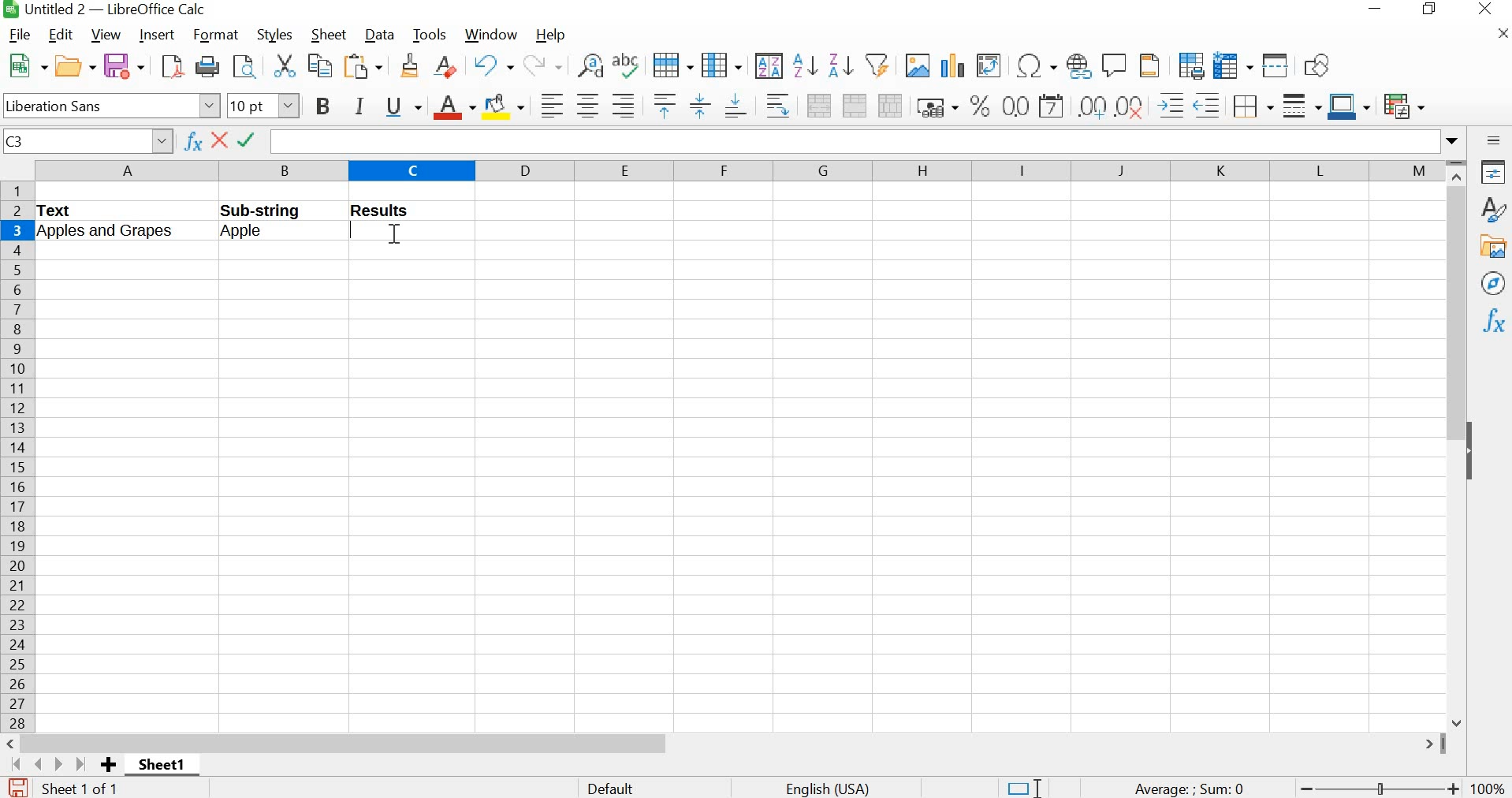 This screenshot has height=798, width=1512. What do you see at coordinates (1019, 786) in the screenshot?
I see `standard selection` at bounding box center [1019, 786].